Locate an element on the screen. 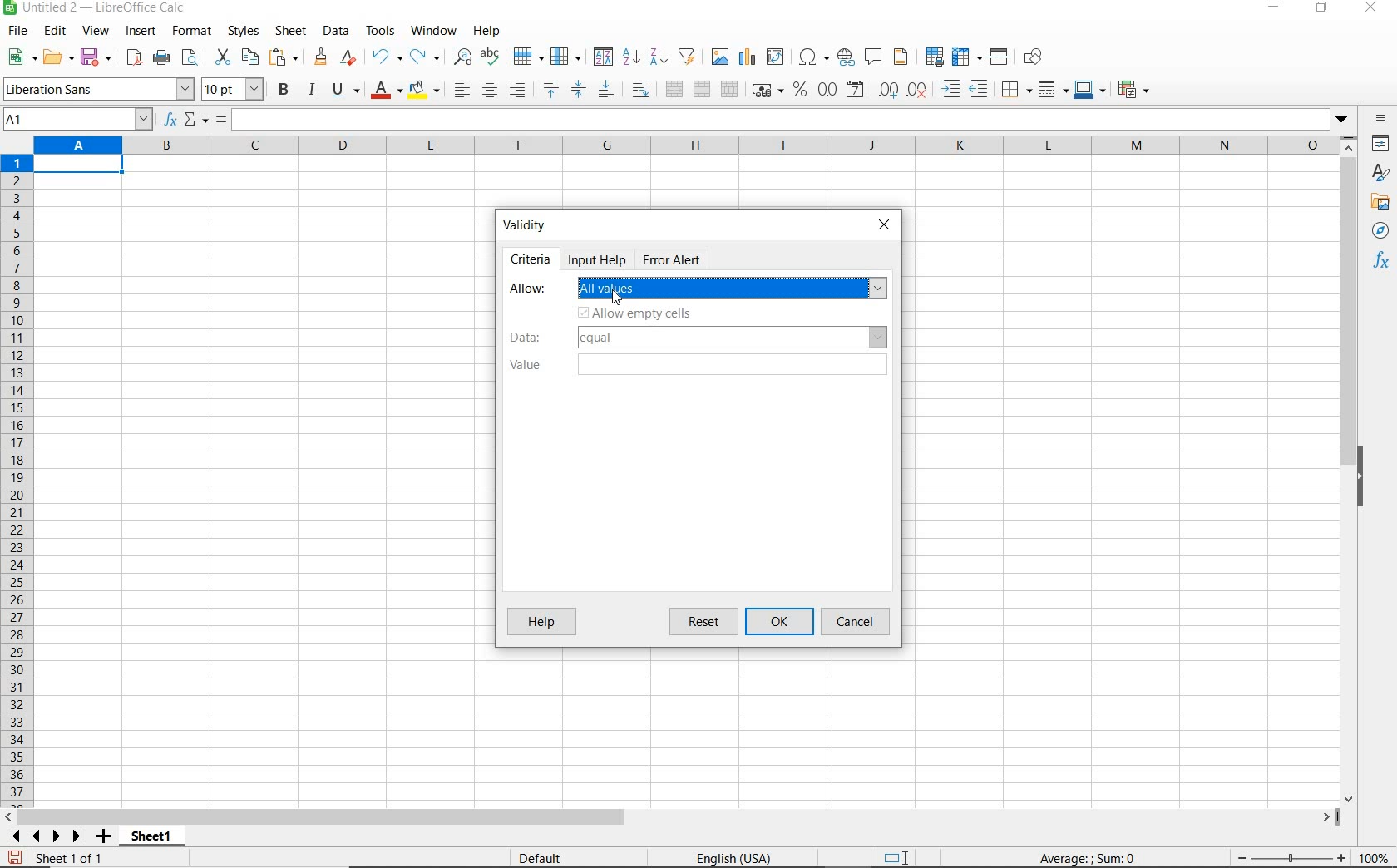 This screenshot has width=1397, height=868. paste is located at coordinates (286, 59).